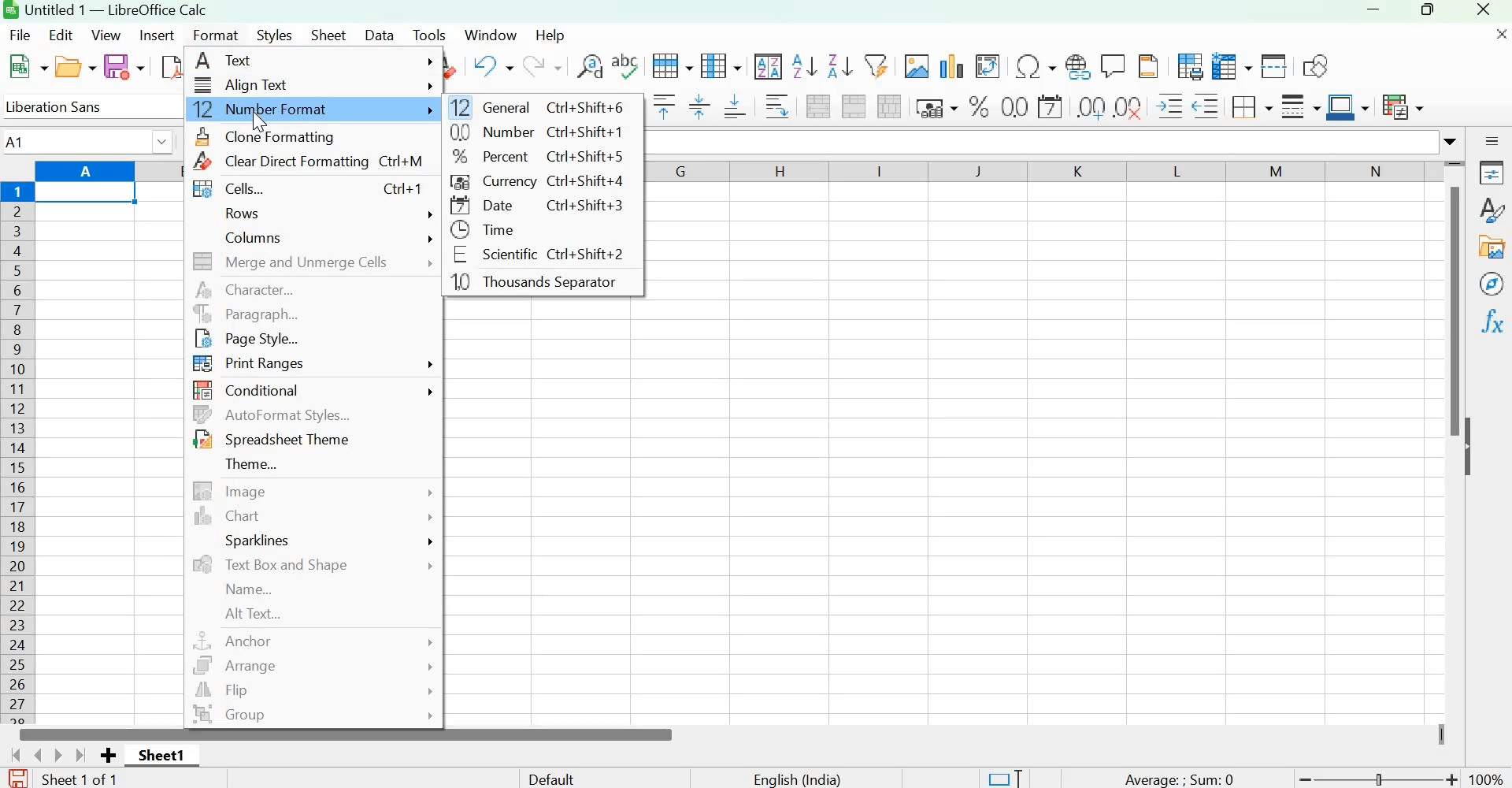 This screenshot has width=1512, height=788. Describe the element at coordinates (1403, 106) in the screenshot. I see `Conditional ` at that location.